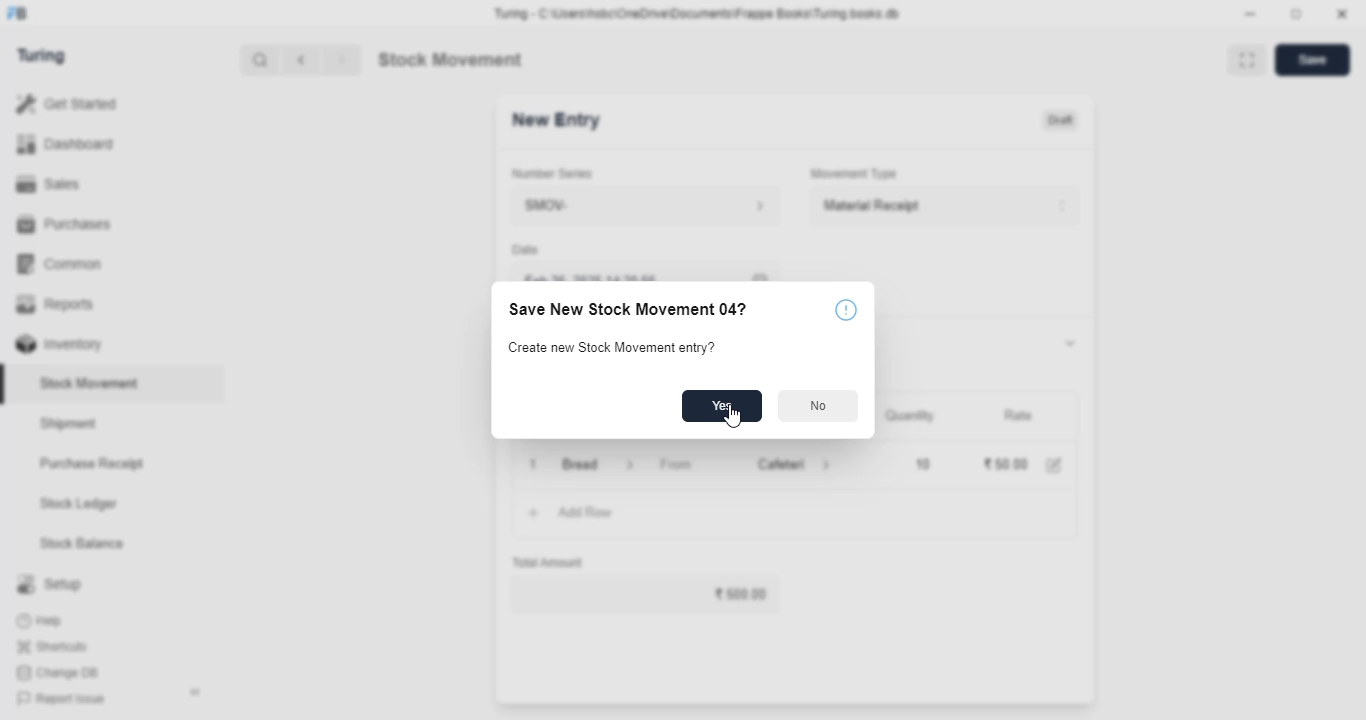  I want to click on bread, so click(579, 464).